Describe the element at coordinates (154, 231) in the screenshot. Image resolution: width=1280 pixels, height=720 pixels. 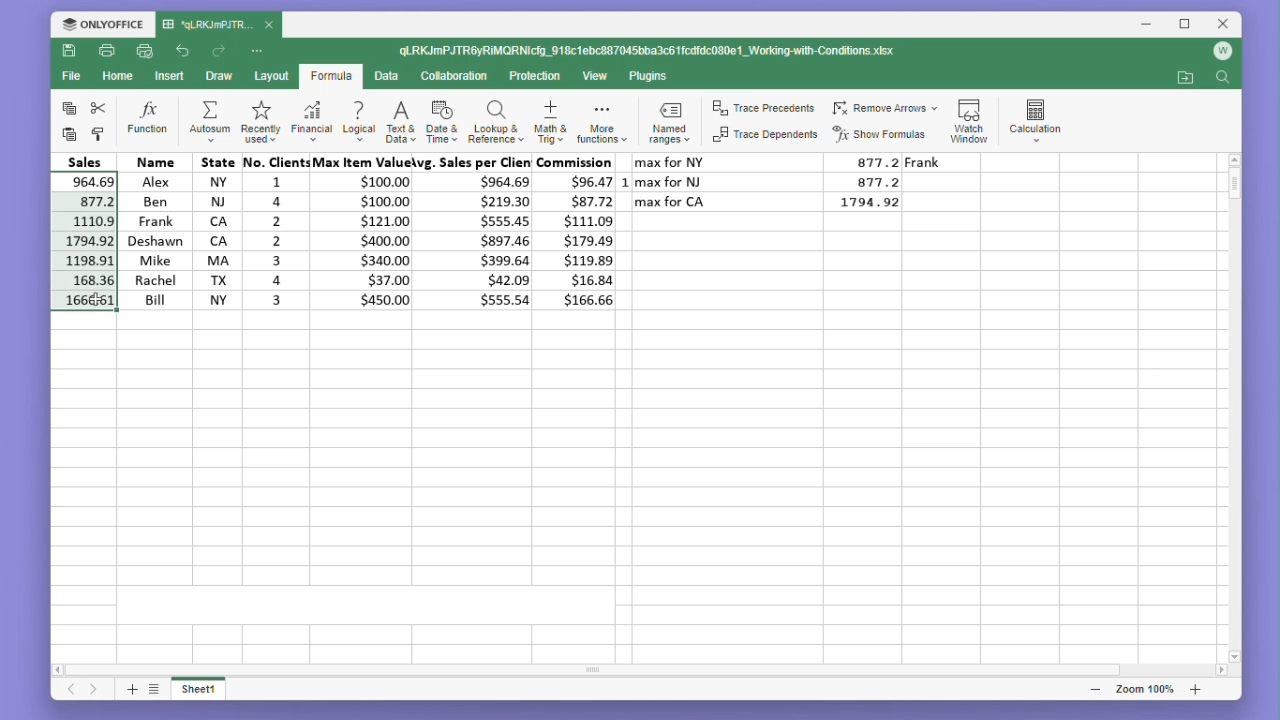
I see `Name Alex Ben Frank deshavn Mike Rache Bill` at that location.